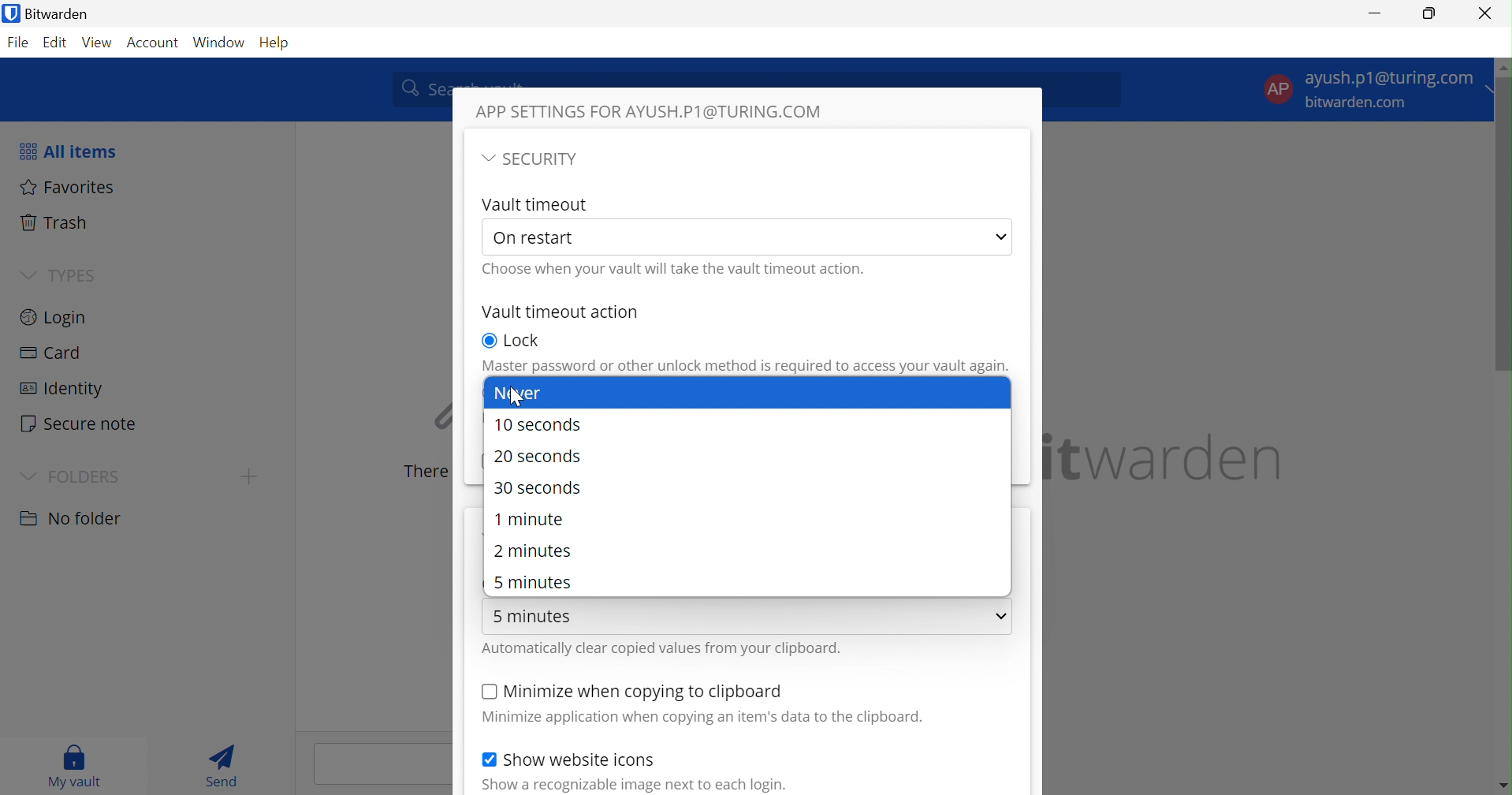 This screenshot has width=1512, height=795. What do you see at coordinates (546, 159) in the screenshot?
I see `SECURITY` at bounding box center [546, 159].